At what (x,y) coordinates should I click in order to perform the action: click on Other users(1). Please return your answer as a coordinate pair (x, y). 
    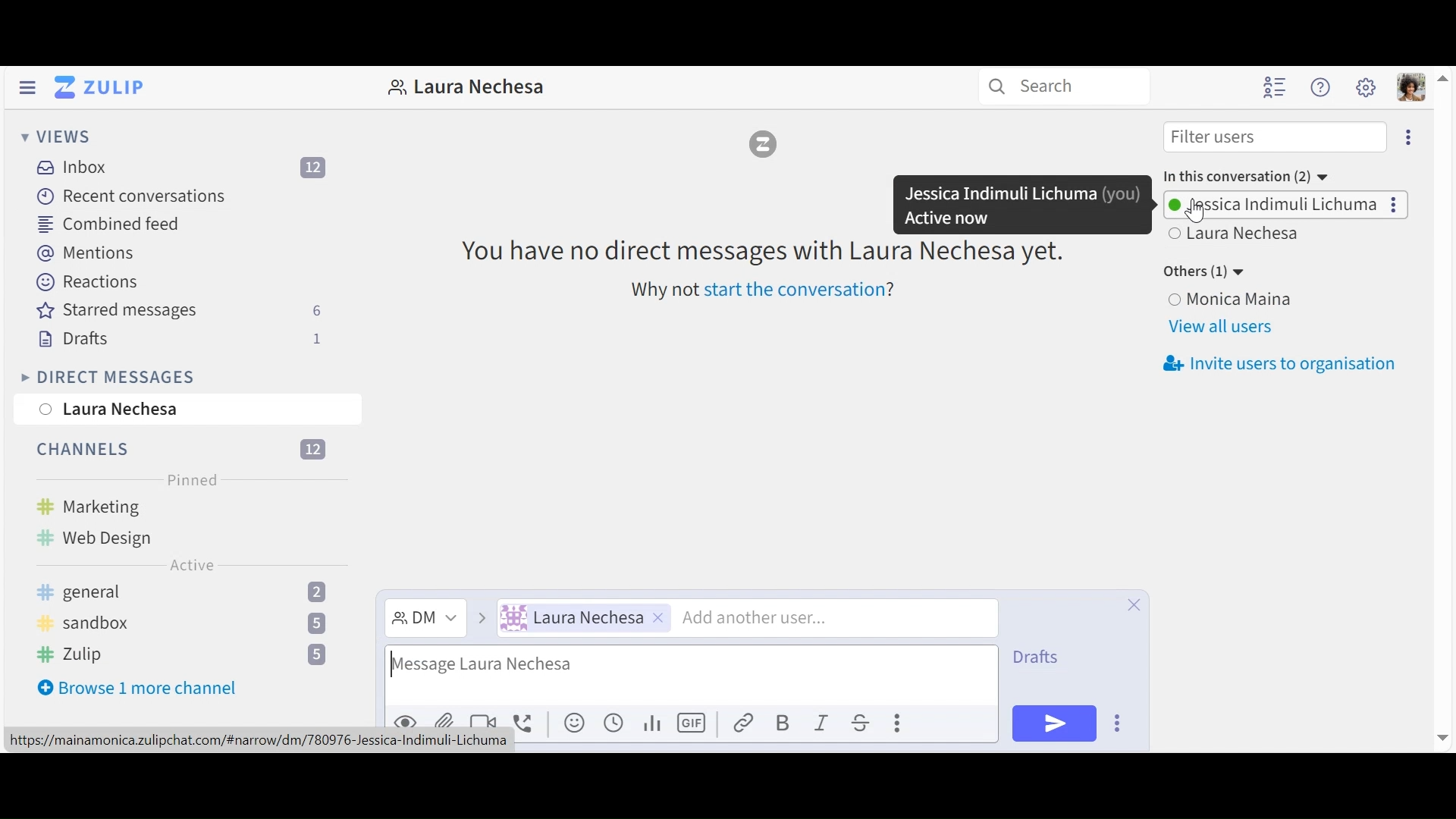
    Looking at the image, I should click on (1209, 272).